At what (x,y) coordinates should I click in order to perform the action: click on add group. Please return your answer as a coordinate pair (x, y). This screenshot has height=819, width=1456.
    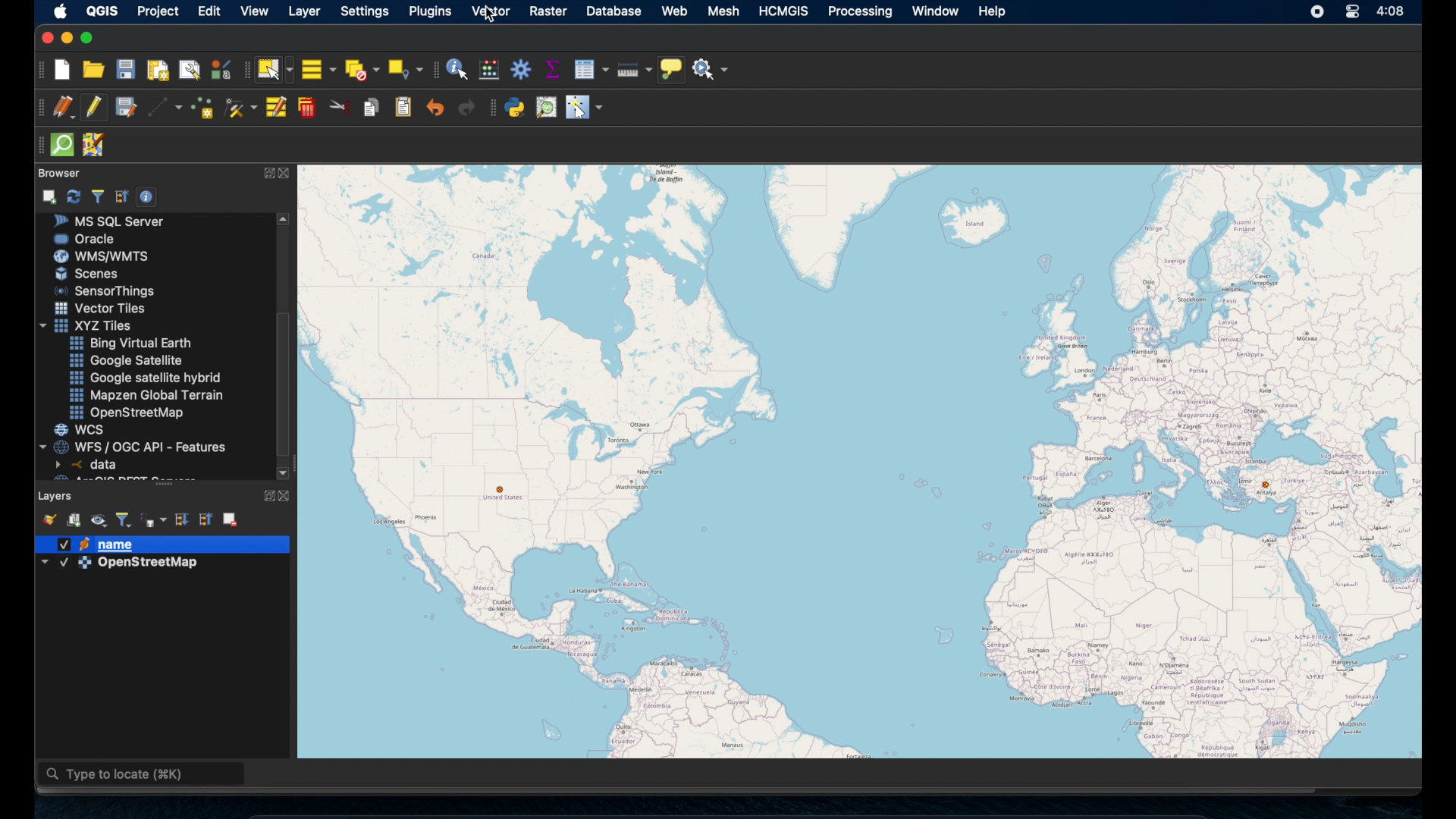
    Looking at the image, I should click on (74, 521).